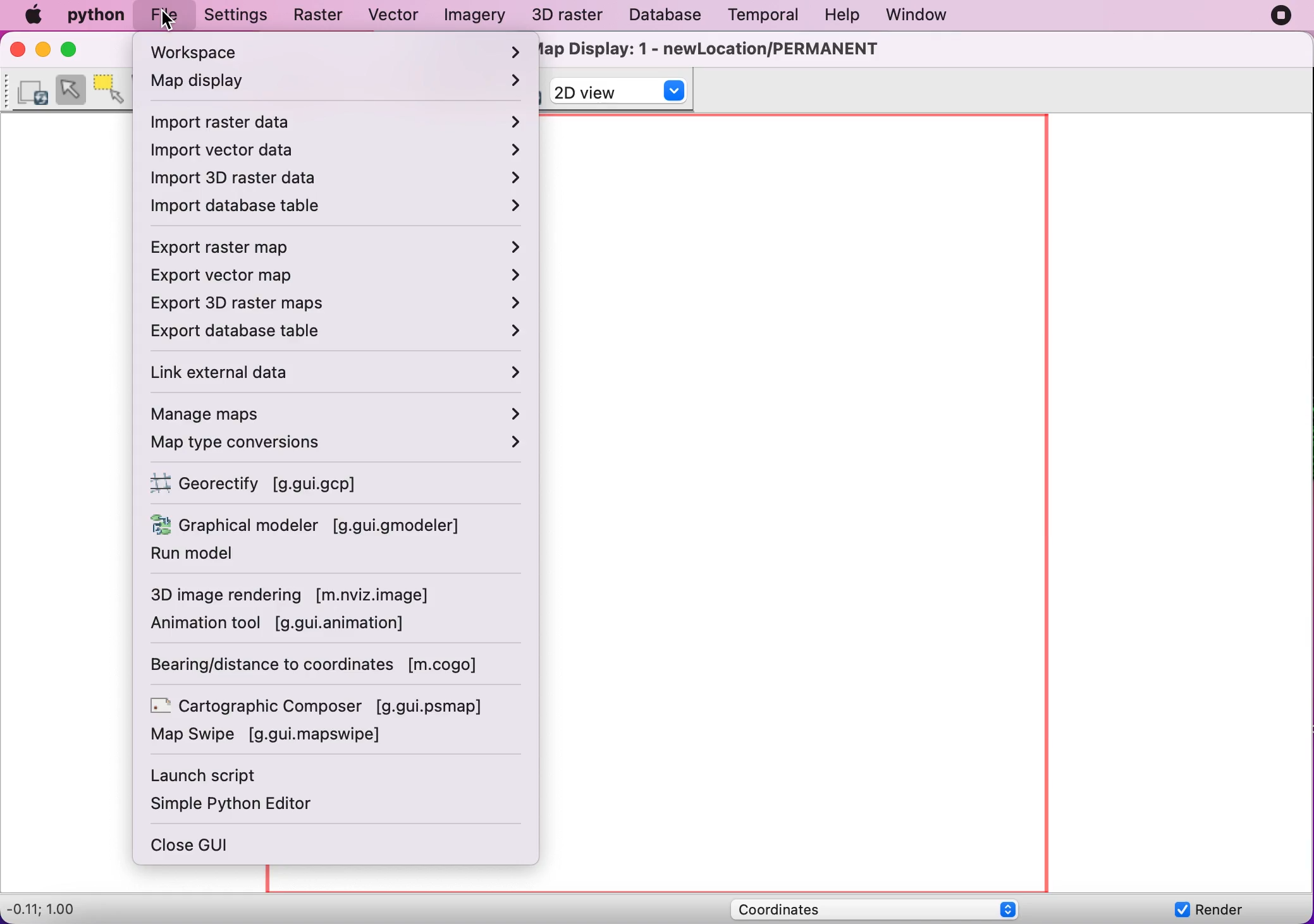 This screenshot has height=924, width=1314. Describe the element at coordinates (336, 121) in the screenshot. I see `import raster data` at that location.